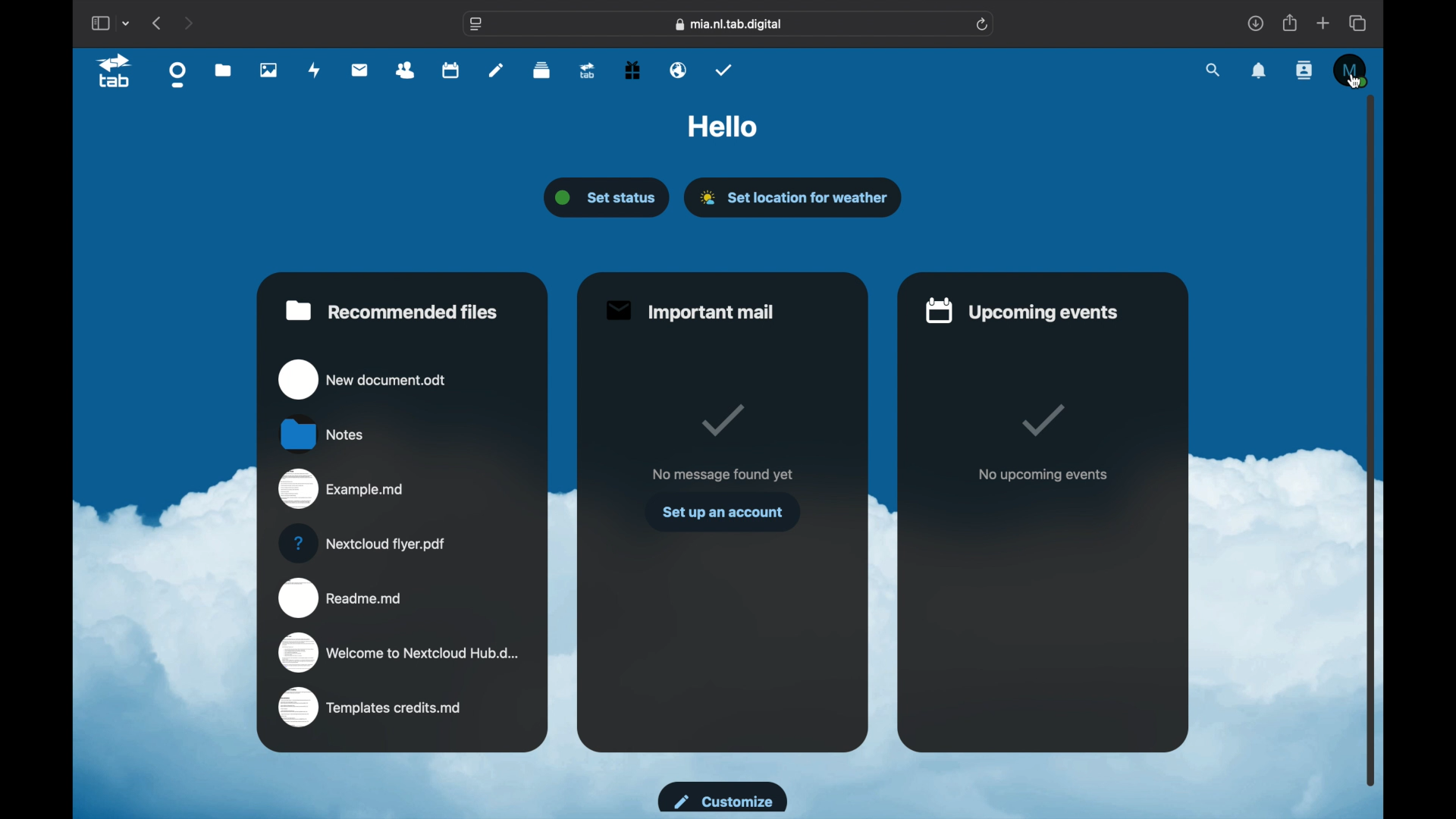 This screenshot has height=819, width=1456. I want to click on downloads, so click(1254, 23).